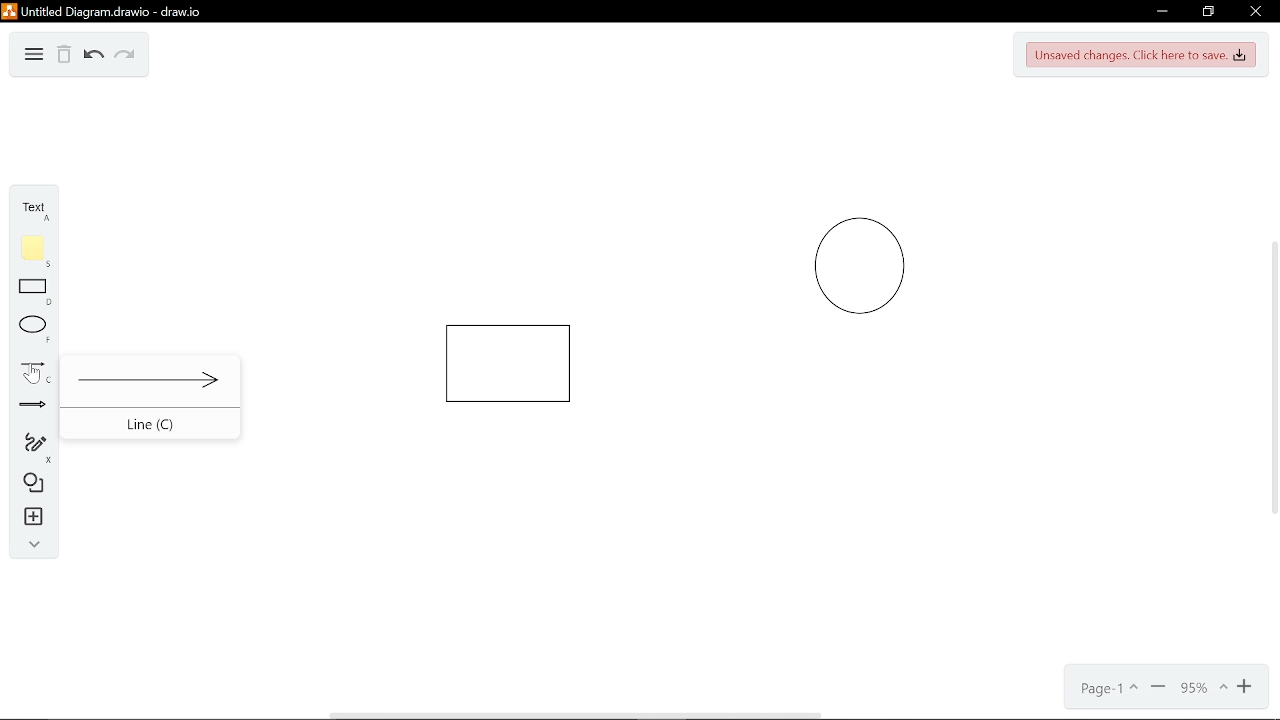  Describe the element at coordinates (35, 210) in the screenshot. I see `Text` at that location.